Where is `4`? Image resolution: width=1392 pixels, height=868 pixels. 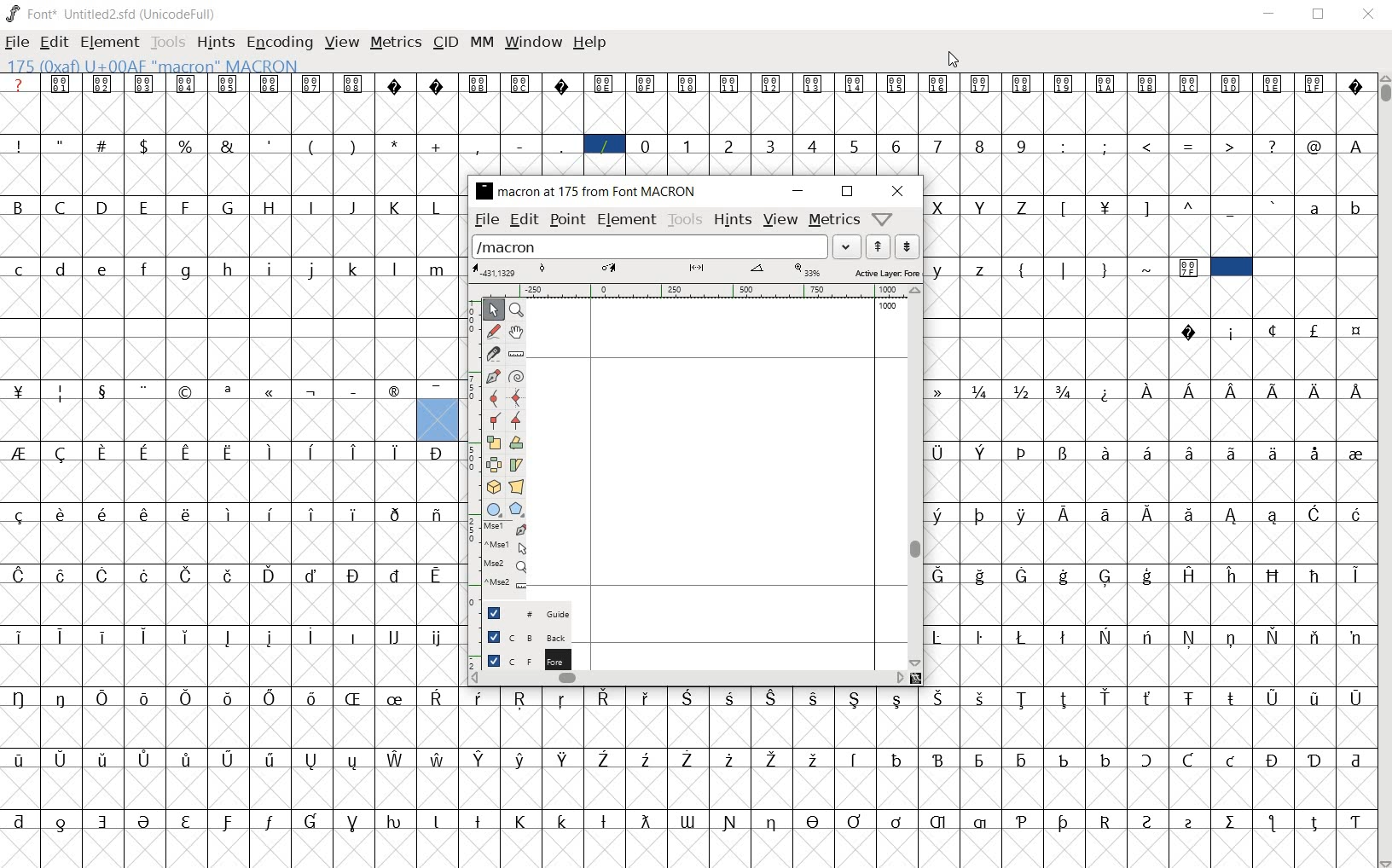
4 is located at coordinates (815, 147).